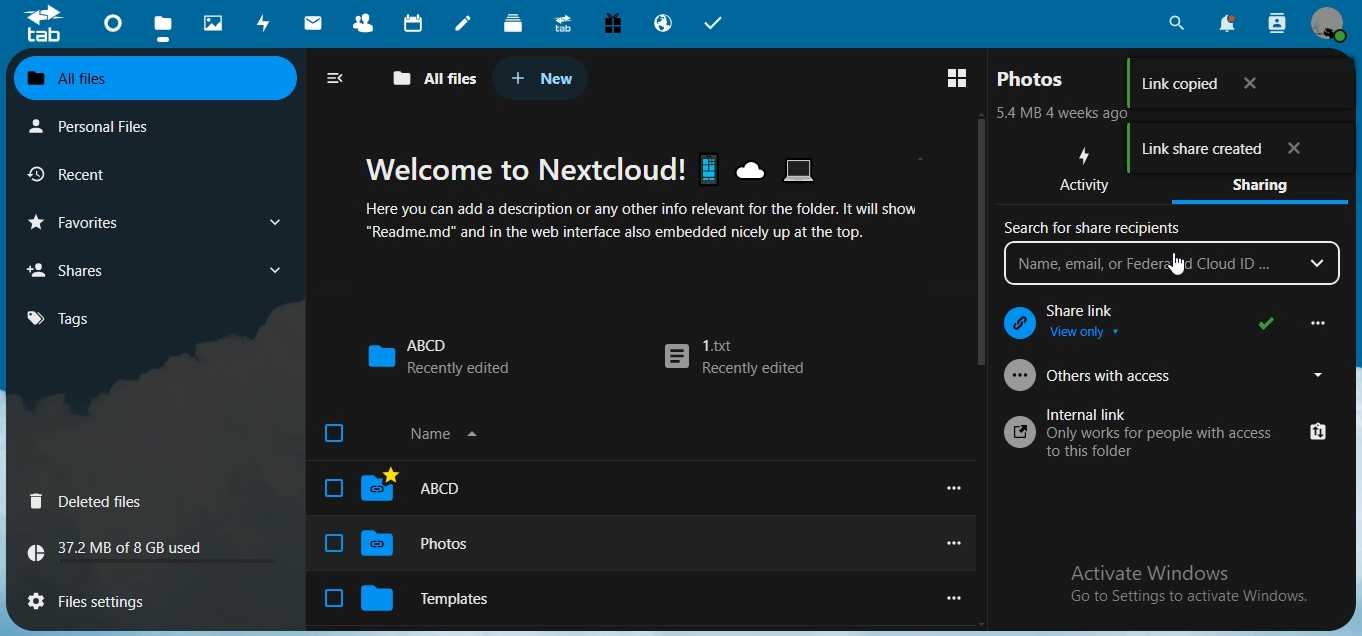 The height and width of the screenshot is (636, 1362). I want to click on text, so click(660, 197).